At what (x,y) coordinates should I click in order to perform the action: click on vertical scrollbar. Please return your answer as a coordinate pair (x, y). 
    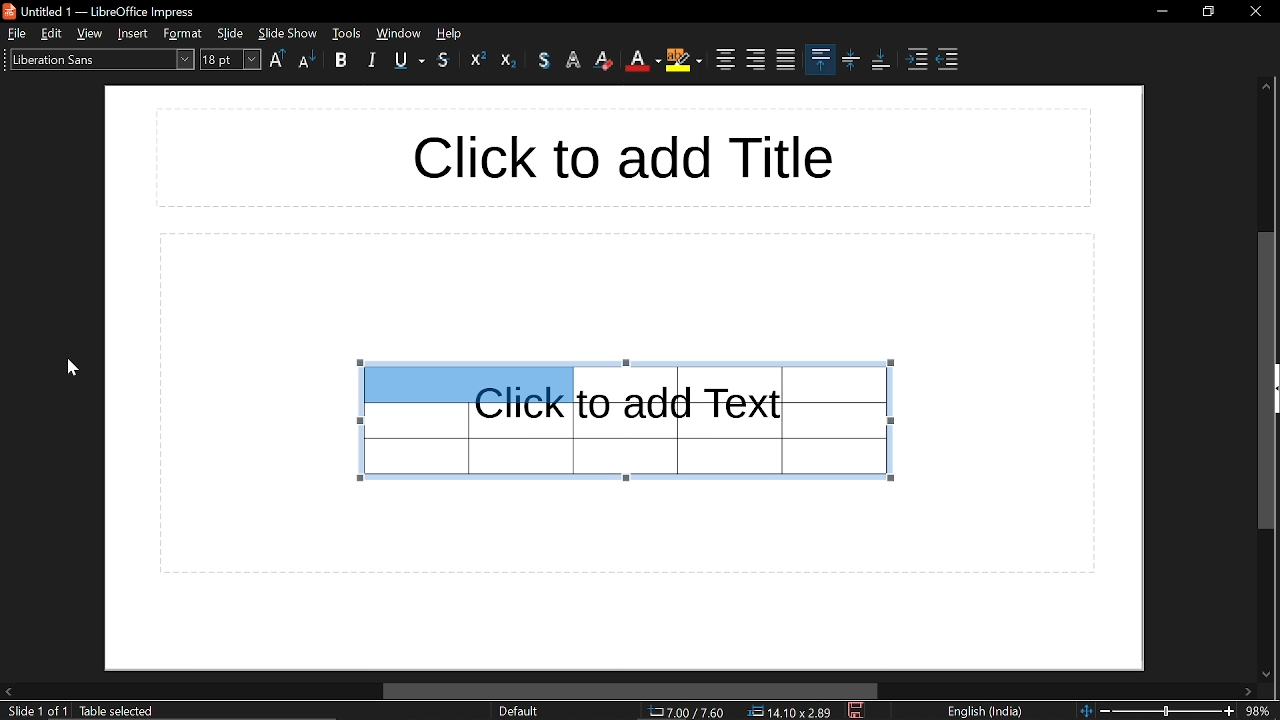
    Looking at the image, I should click on (1265, 381).